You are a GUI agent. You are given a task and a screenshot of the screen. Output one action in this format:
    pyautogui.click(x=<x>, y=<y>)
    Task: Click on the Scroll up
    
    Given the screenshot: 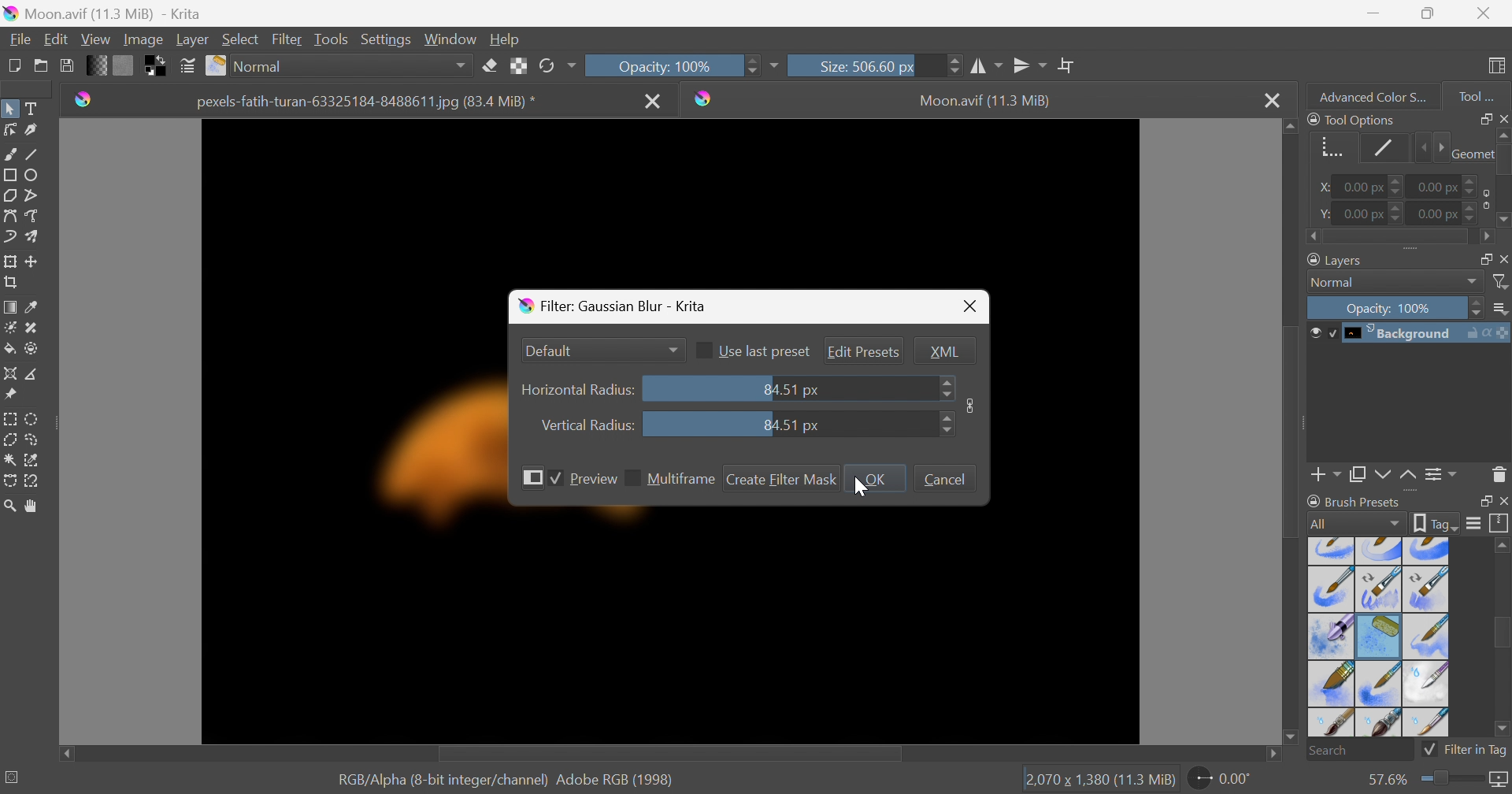 What is the action you would take?
    pyautogui.click(x=1503, y=544)
    